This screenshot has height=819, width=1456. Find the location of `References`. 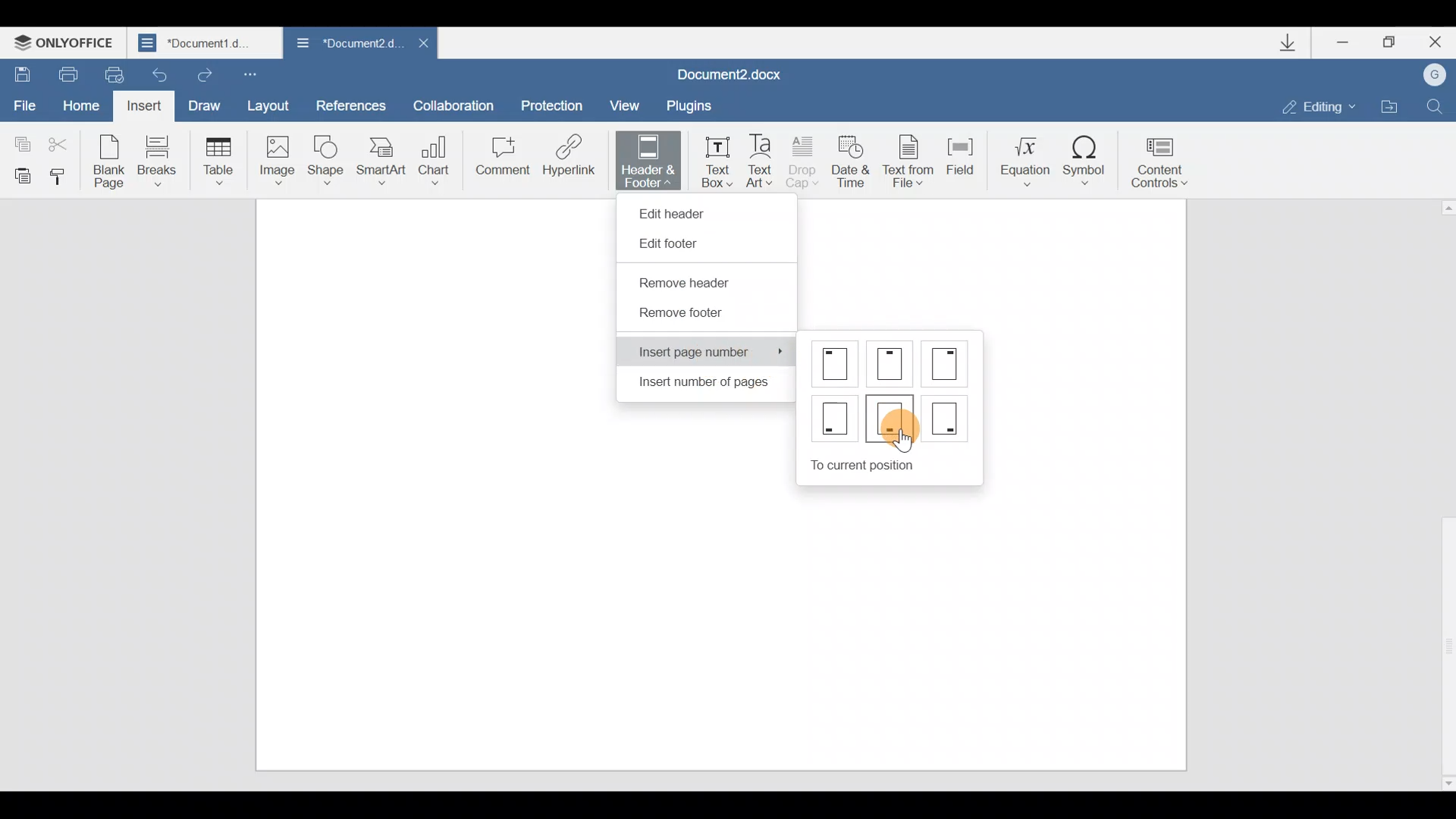

References is located at coordinates (352, 105).